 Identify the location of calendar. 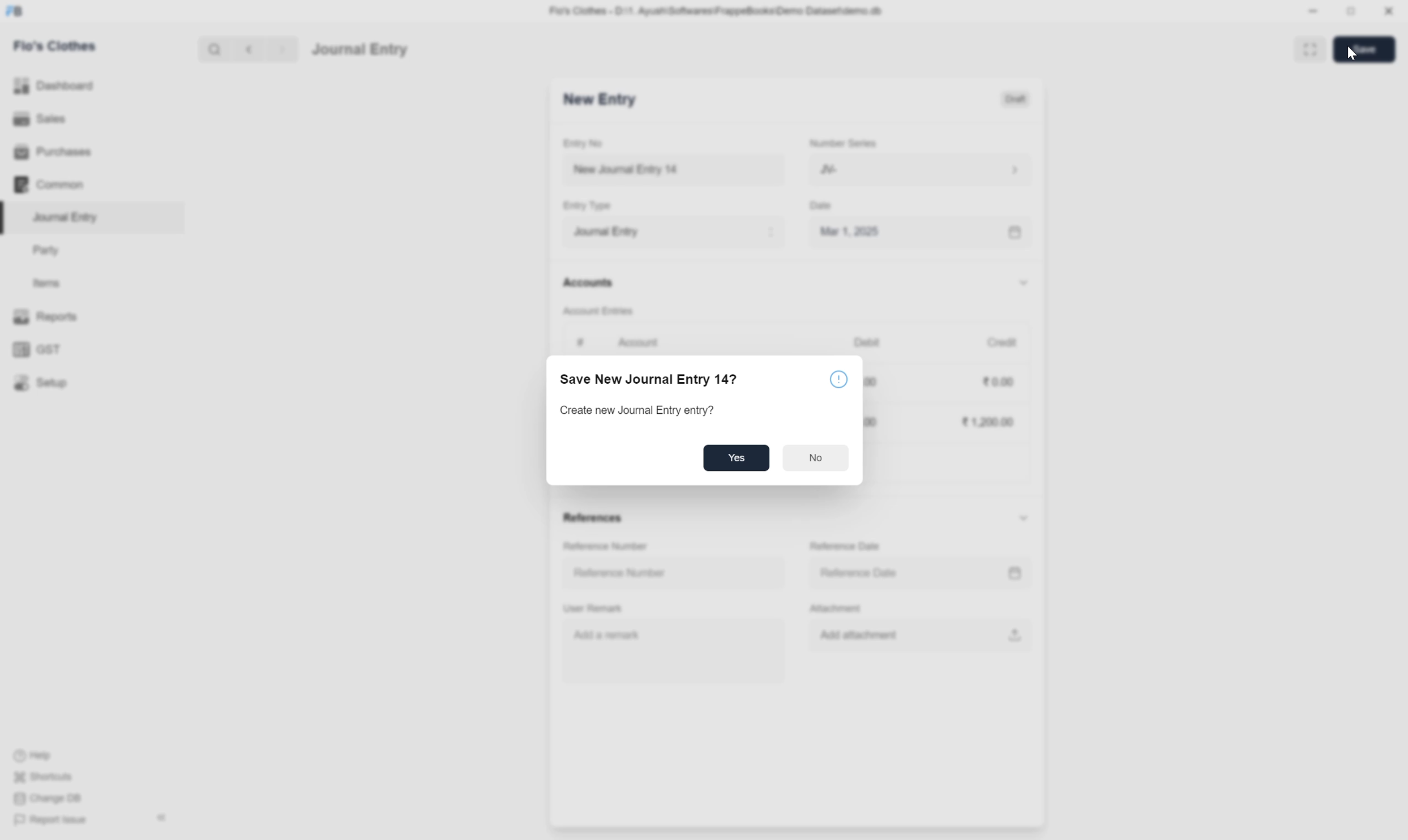
(1016, 233).